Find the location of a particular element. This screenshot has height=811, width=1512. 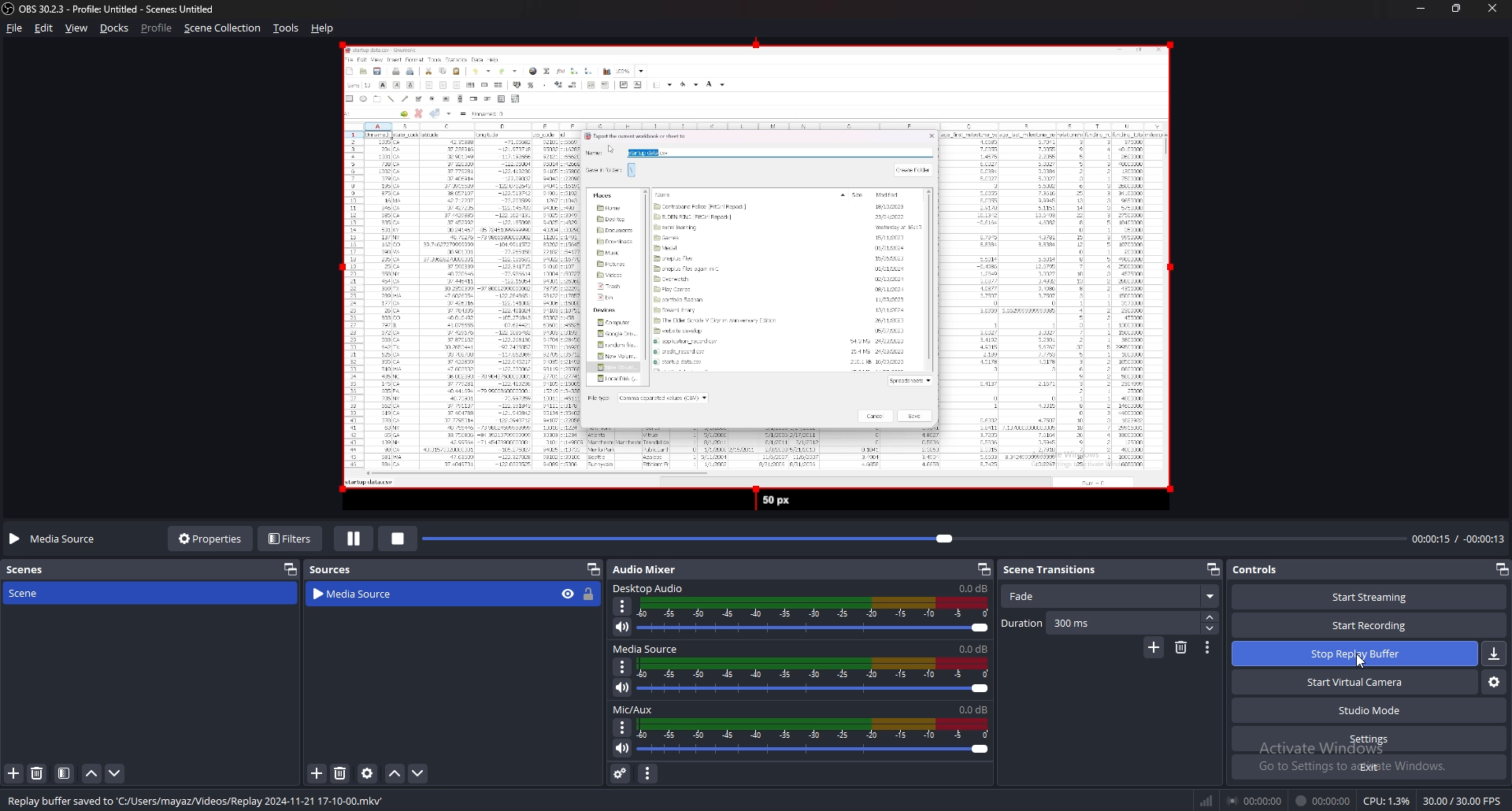

pop out is located at coordinates (982, 568).